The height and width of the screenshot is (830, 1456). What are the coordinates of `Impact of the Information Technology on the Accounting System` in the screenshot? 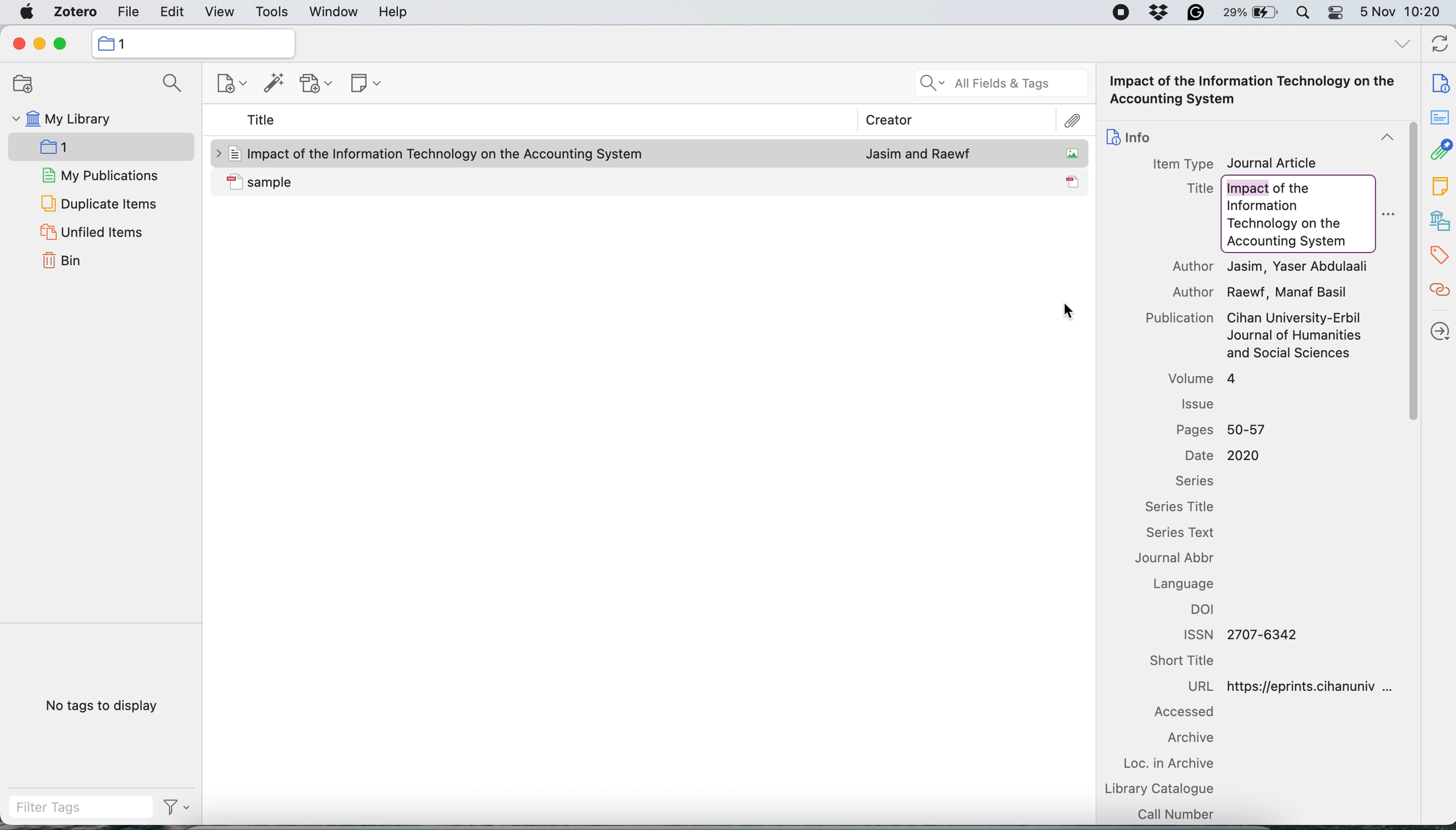 It's located at (1254, 91).